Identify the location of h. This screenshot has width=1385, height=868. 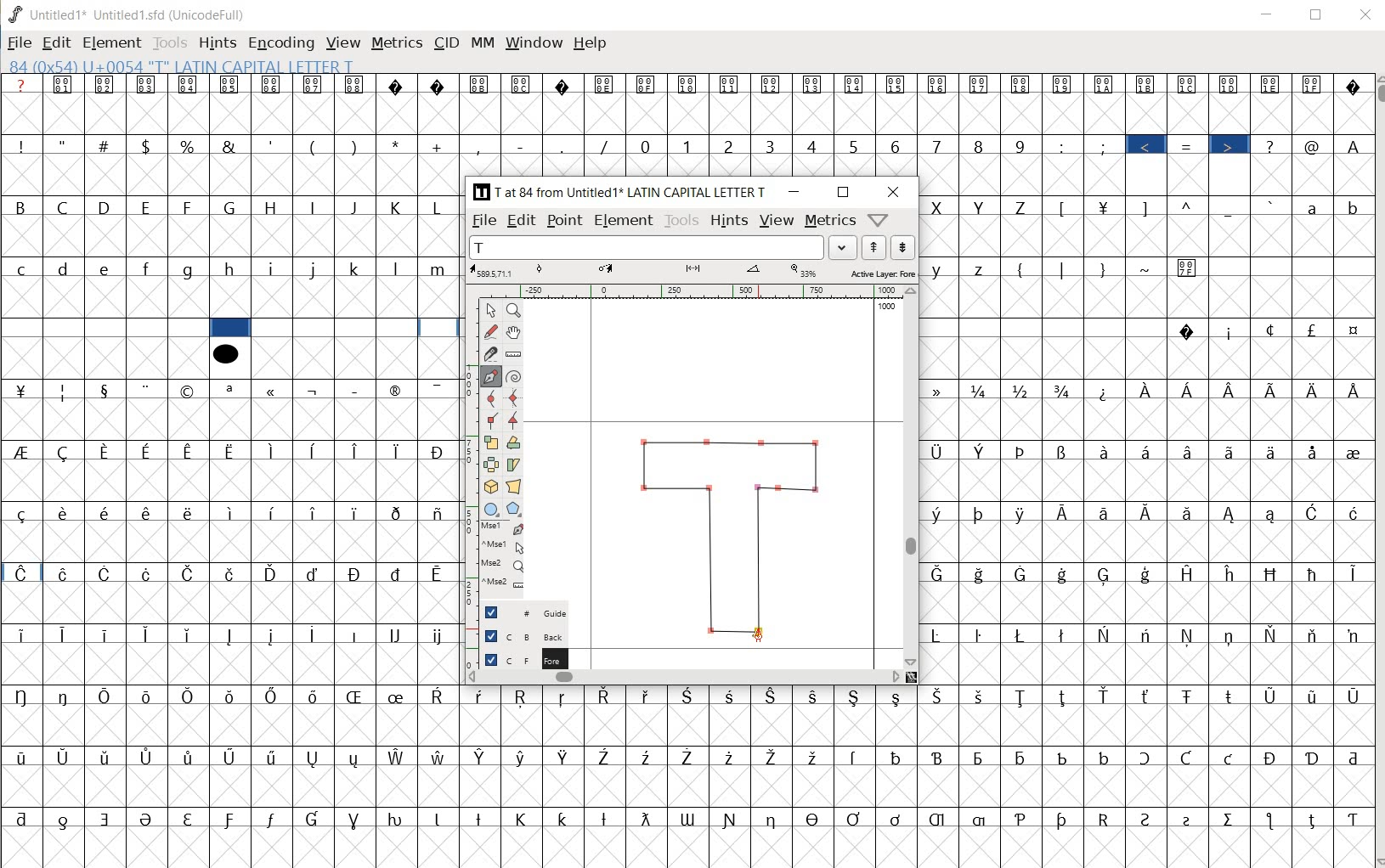
(233, 270).